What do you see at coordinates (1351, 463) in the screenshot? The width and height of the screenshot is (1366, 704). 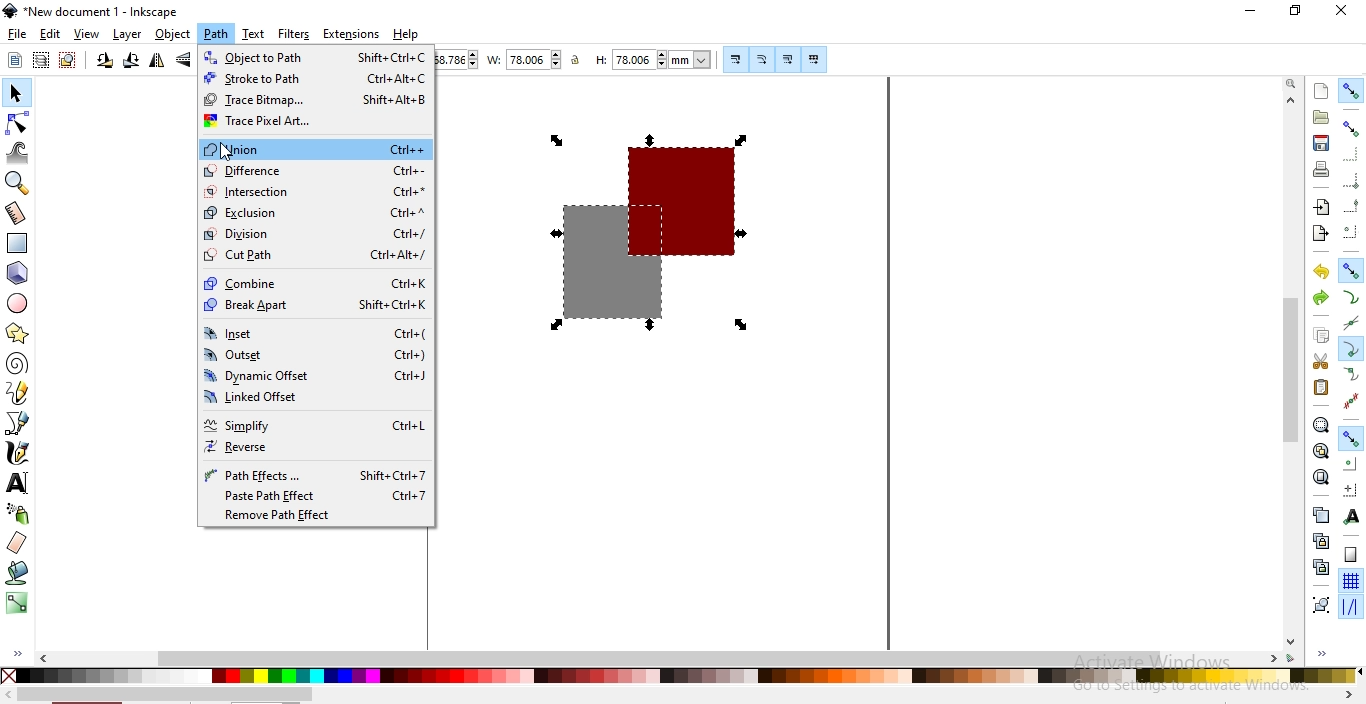 I see `snap centers of objects` at bounding box center [1351, 463].